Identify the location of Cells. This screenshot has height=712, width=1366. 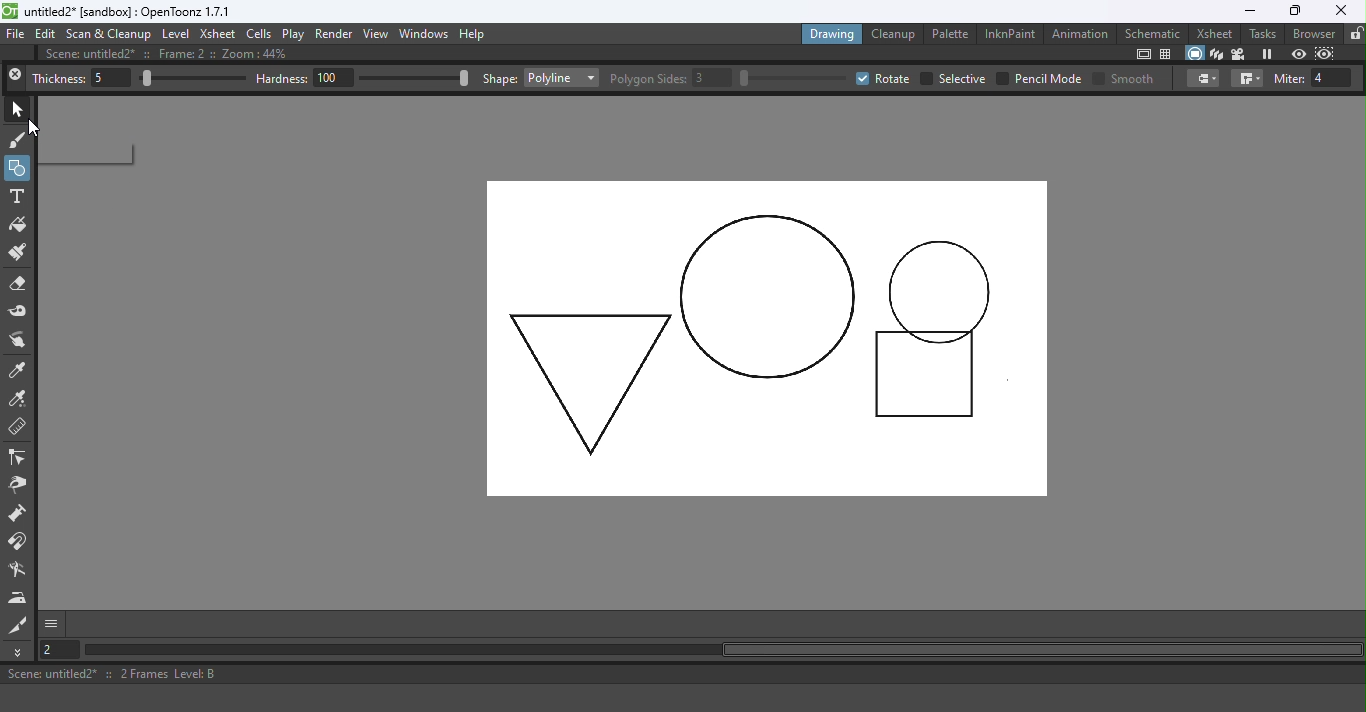
(260, 33).